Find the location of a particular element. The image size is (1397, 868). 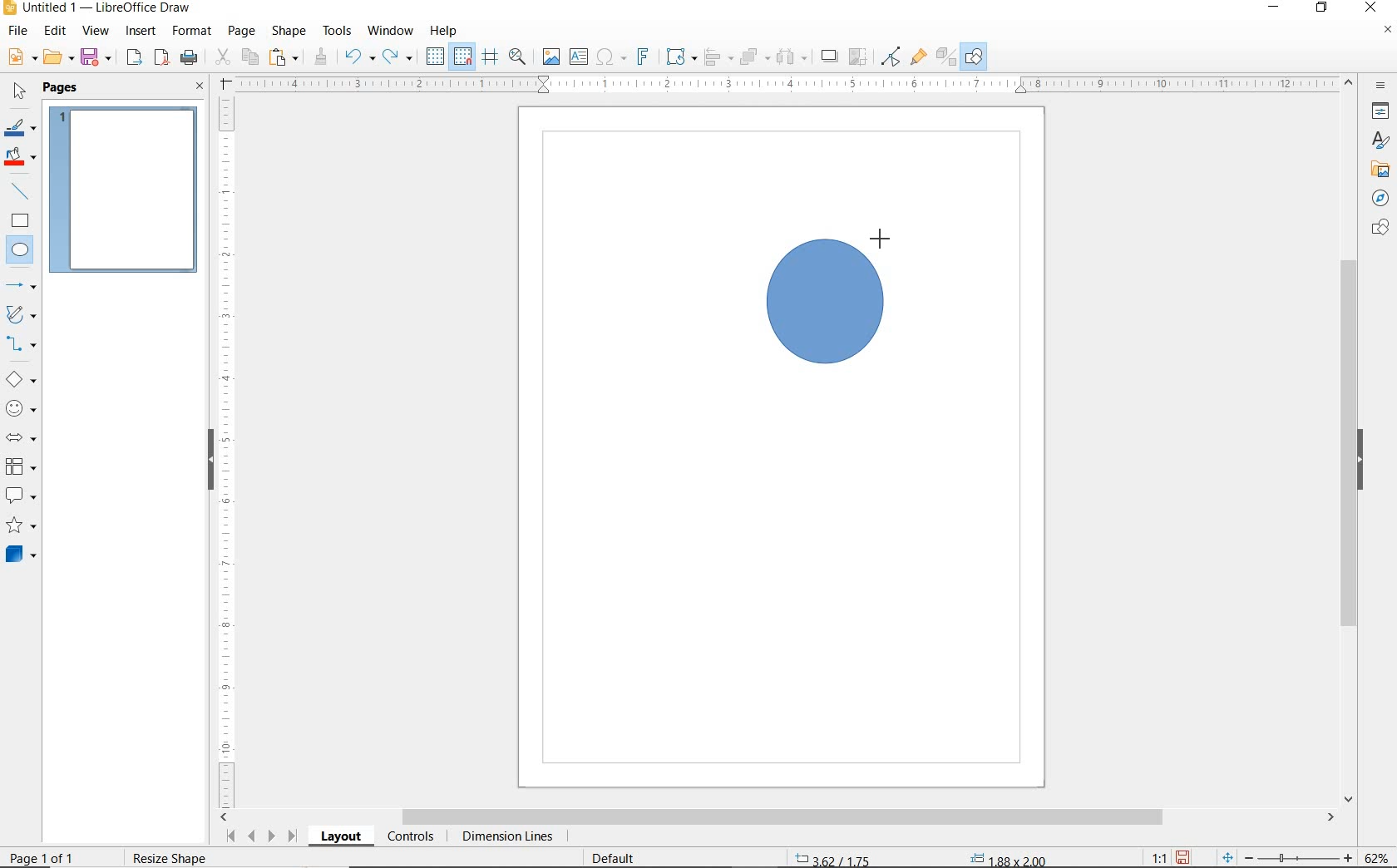

ELLIPSE TOOL is located at coordinates (770, 368).